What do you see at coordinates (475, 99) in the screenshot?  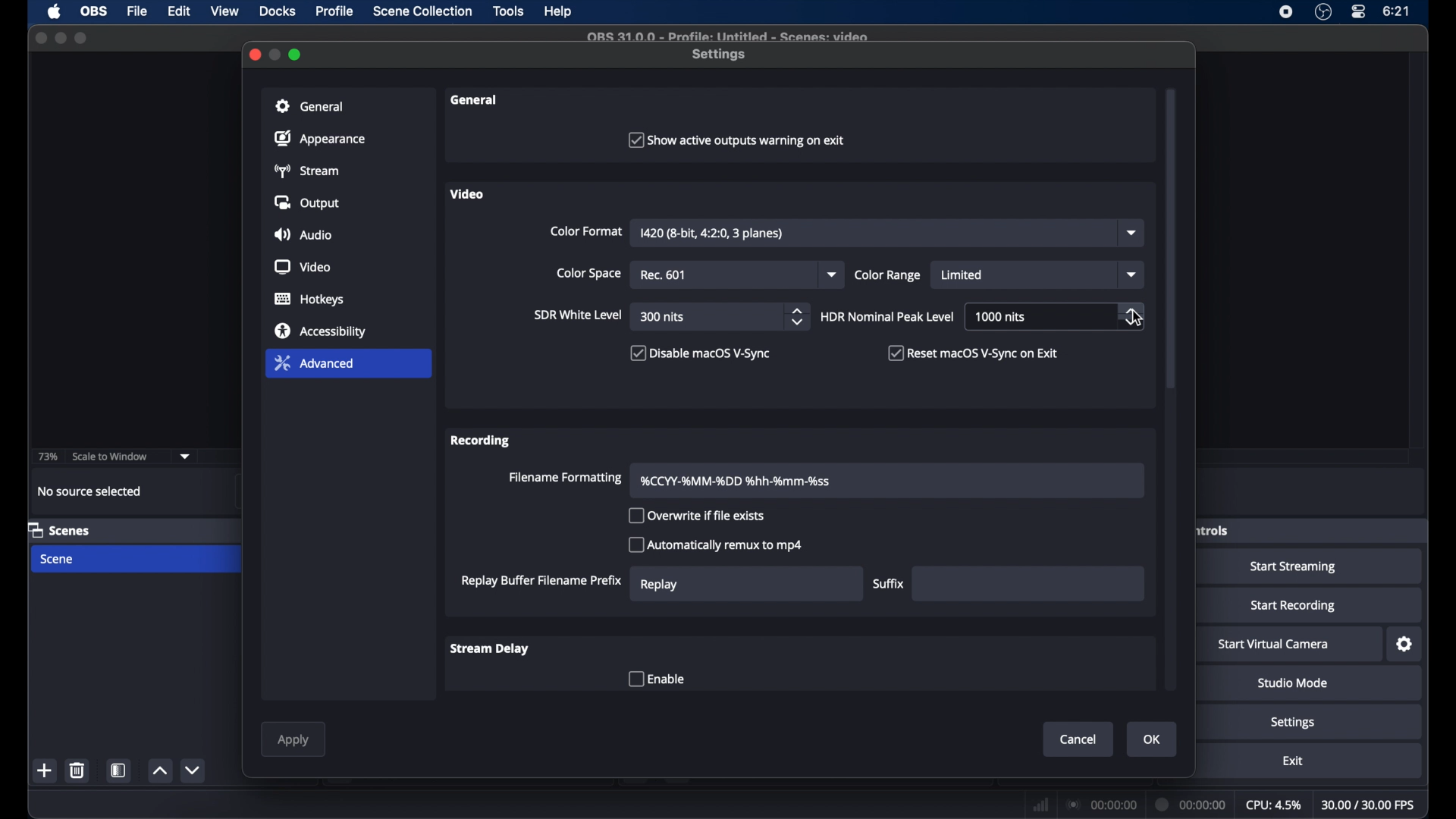 I see `general` at bounding box center [475, 99].